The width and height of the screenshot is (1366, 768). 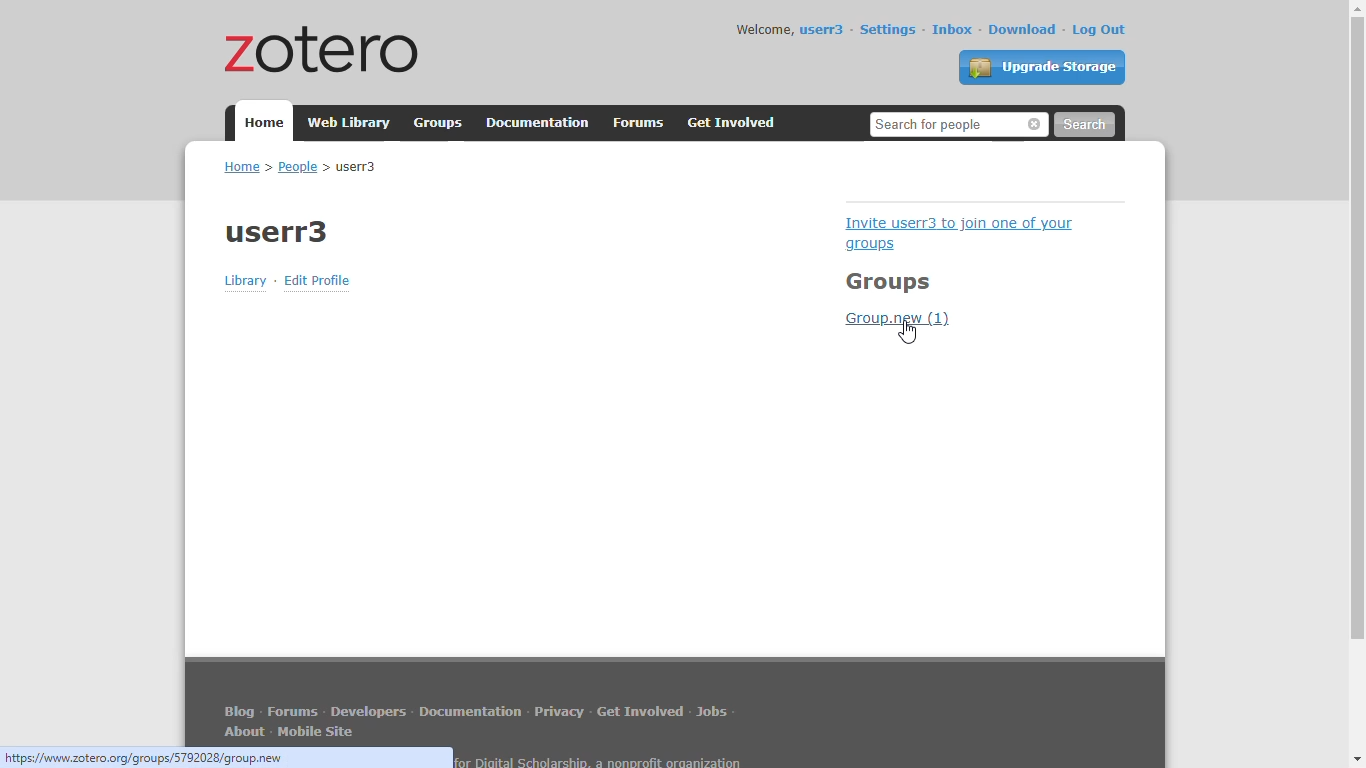 I want to click on vertical scroll bar, so click(x=1356, y=328).